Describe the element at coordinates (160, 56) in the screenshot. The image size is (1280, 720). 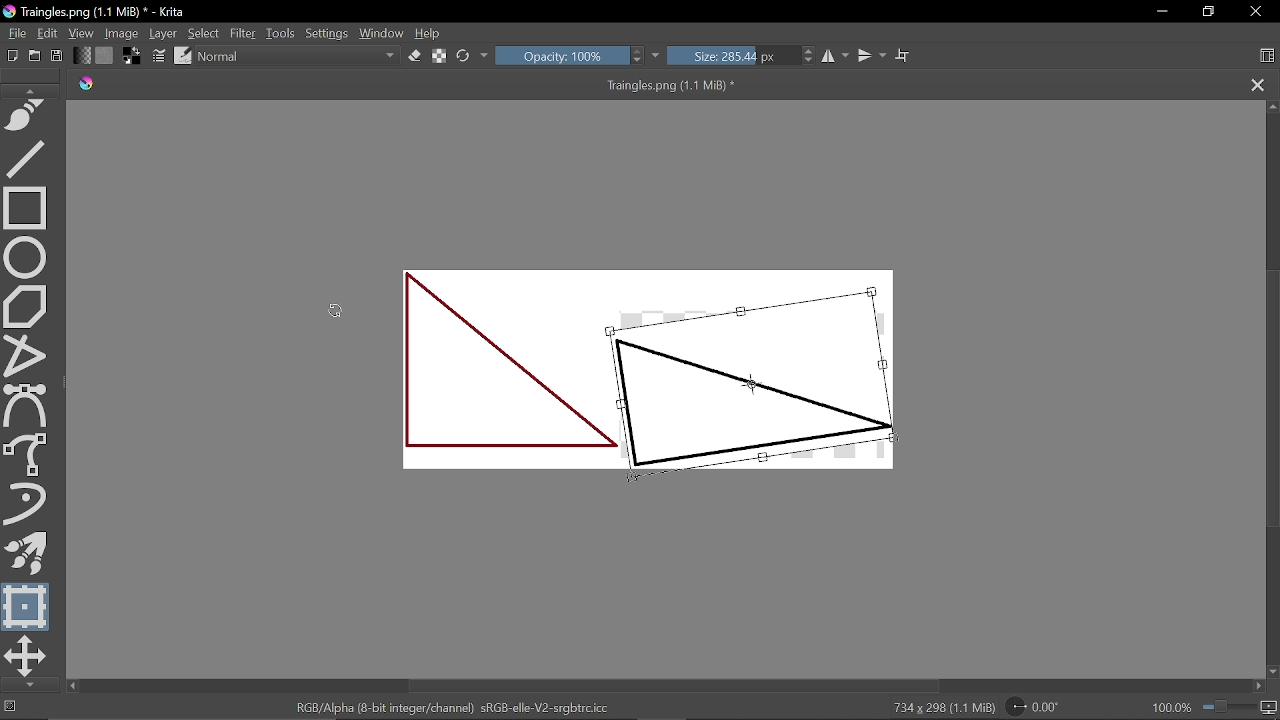
I see `Edit brush settings` at that location.